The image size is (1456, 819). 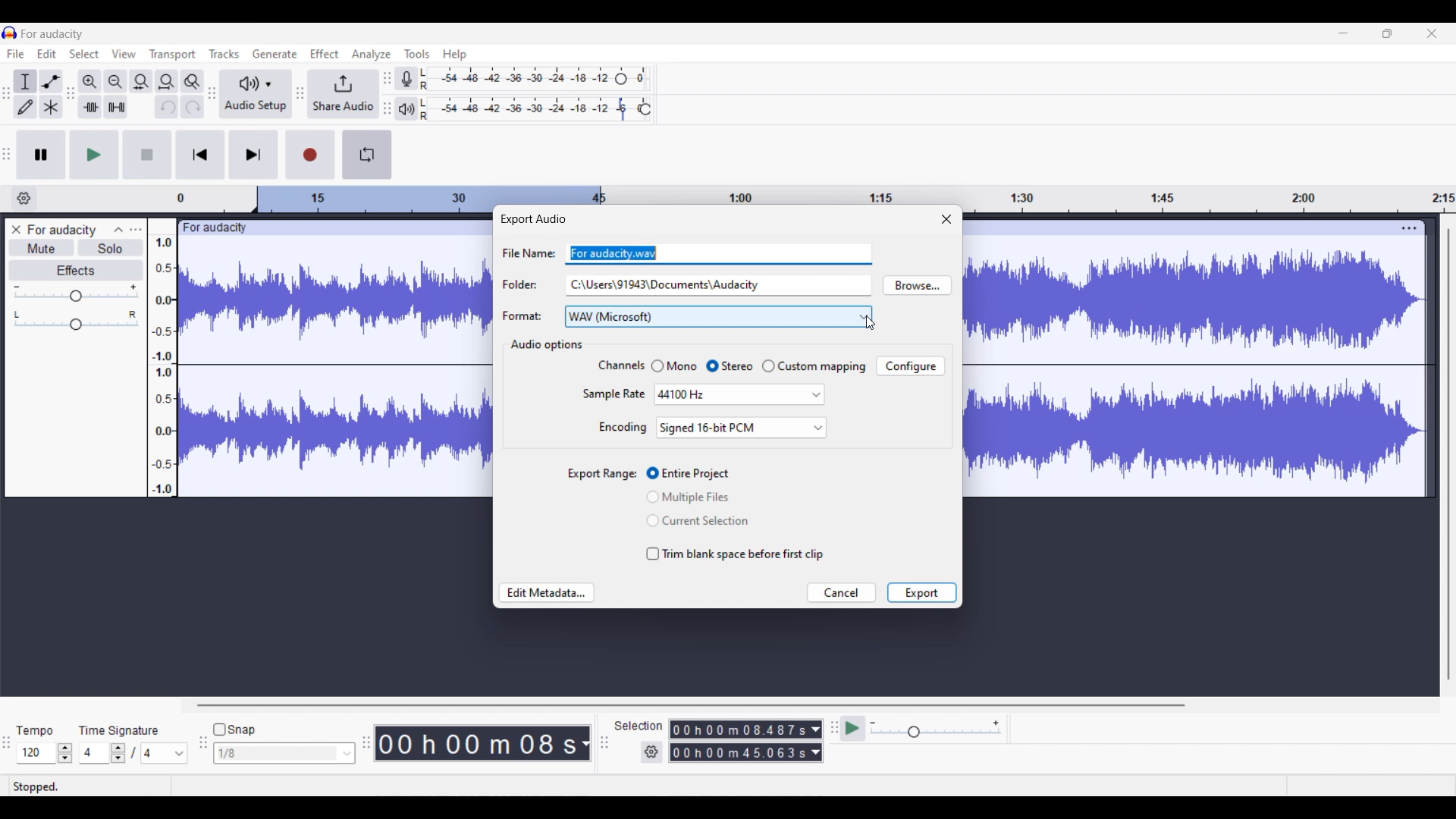 I want to click on File menu, so click(x=16, y=53).